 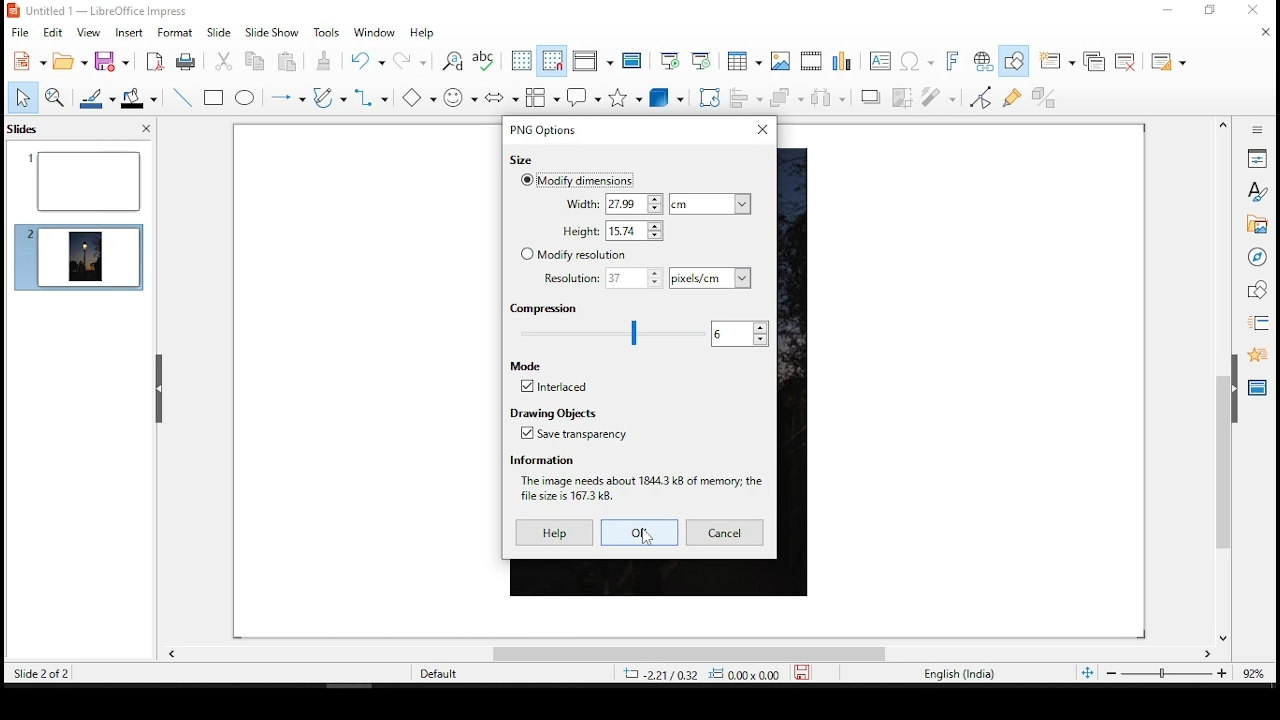 What do you see at coordinates (529, 366) in the screenshot?
I see `mode` at bounding box center [529, 366].